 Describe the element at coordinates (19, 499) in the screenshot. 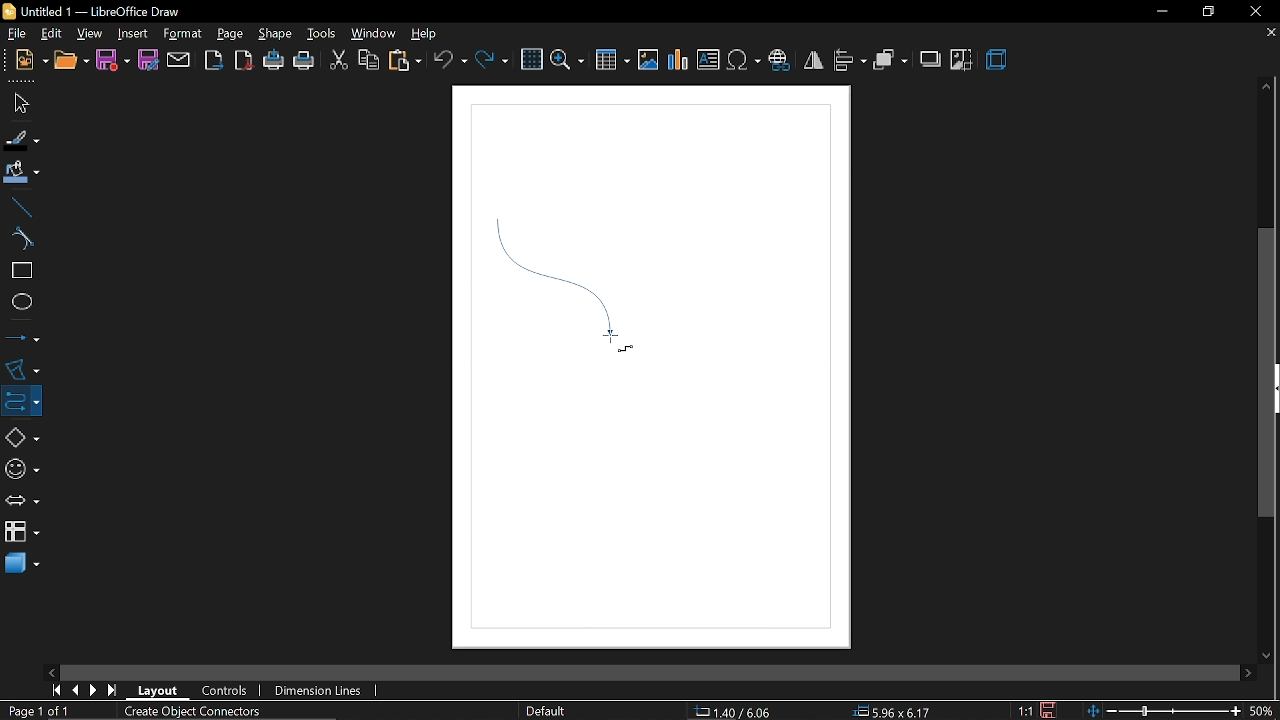

I see `arrows` at that location.